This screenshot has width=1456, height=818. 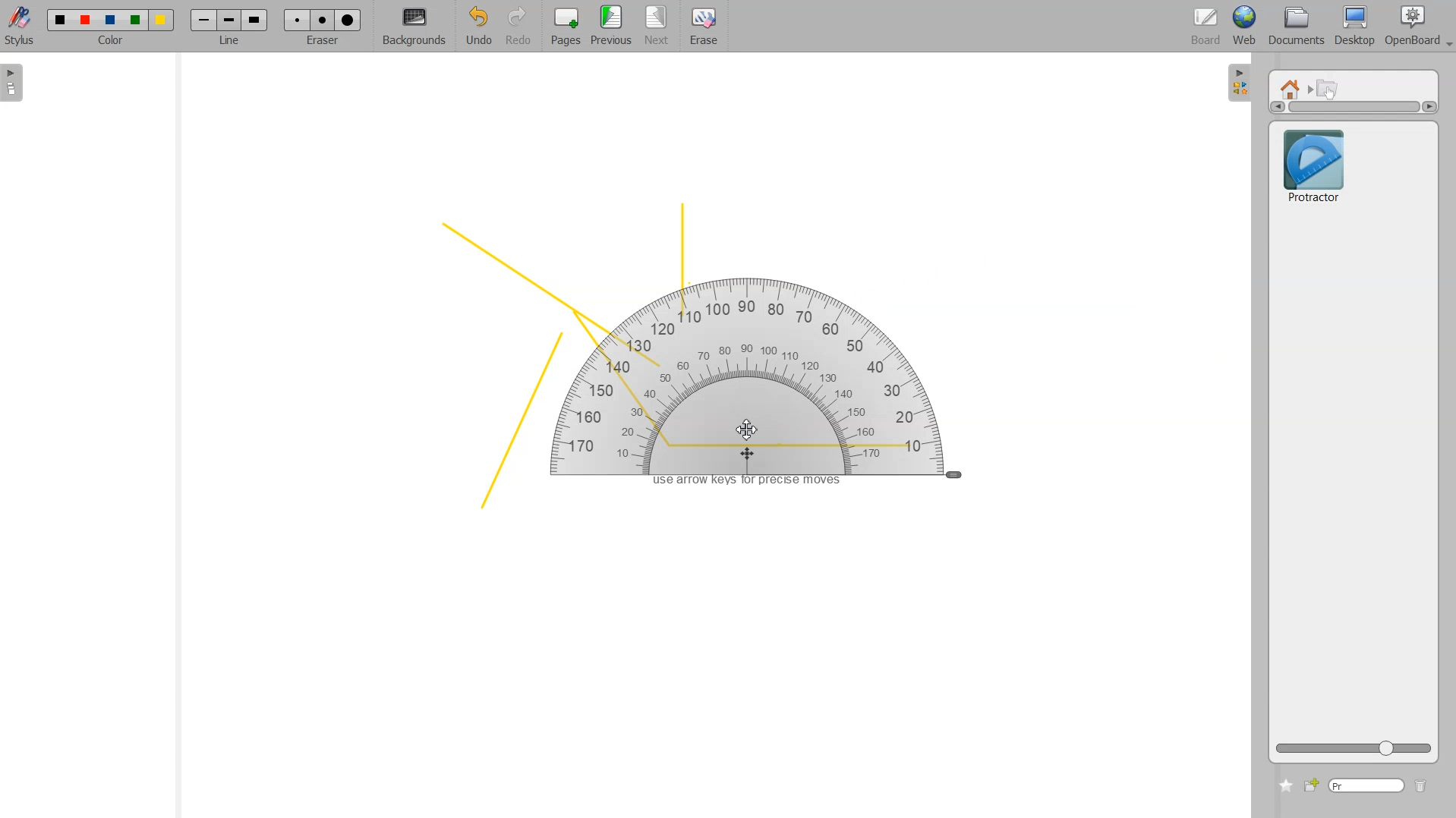 I want to click on Redo, so click(x=518, y=27).